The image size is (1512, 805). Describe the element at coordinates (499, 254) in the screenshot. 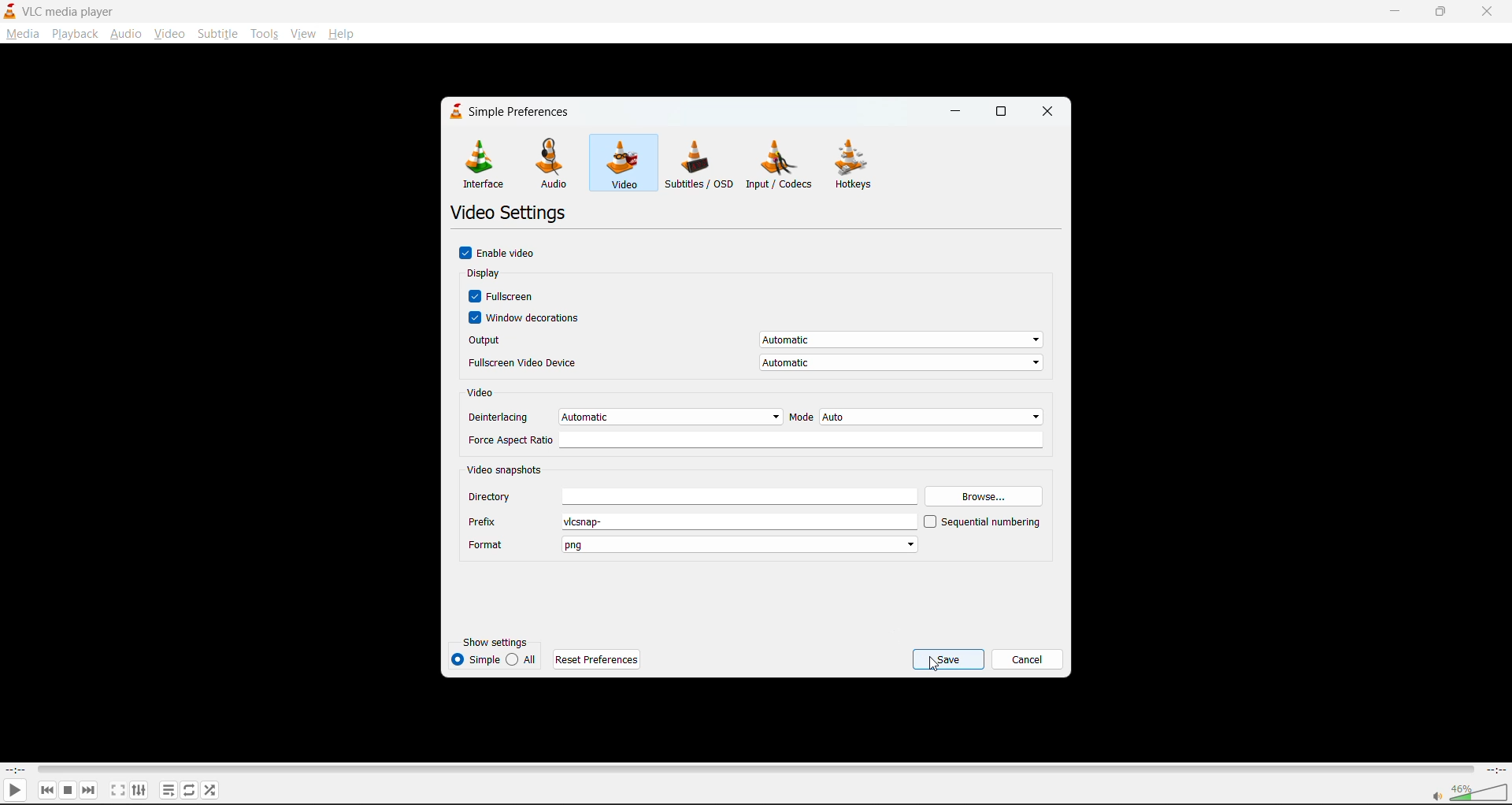

I see `enable video` at that location.